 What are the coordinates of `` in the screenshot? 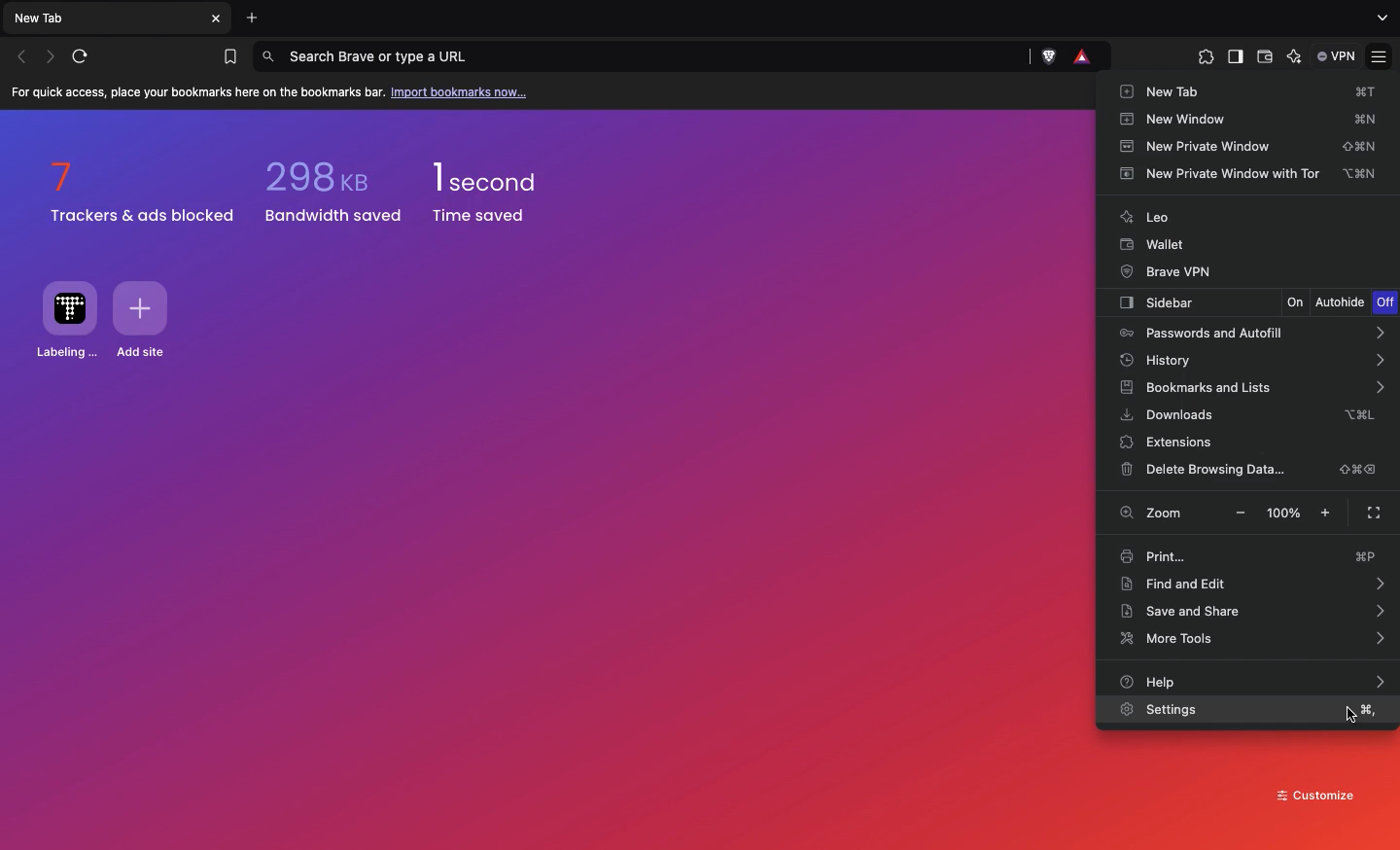 It's located at (219, 18).